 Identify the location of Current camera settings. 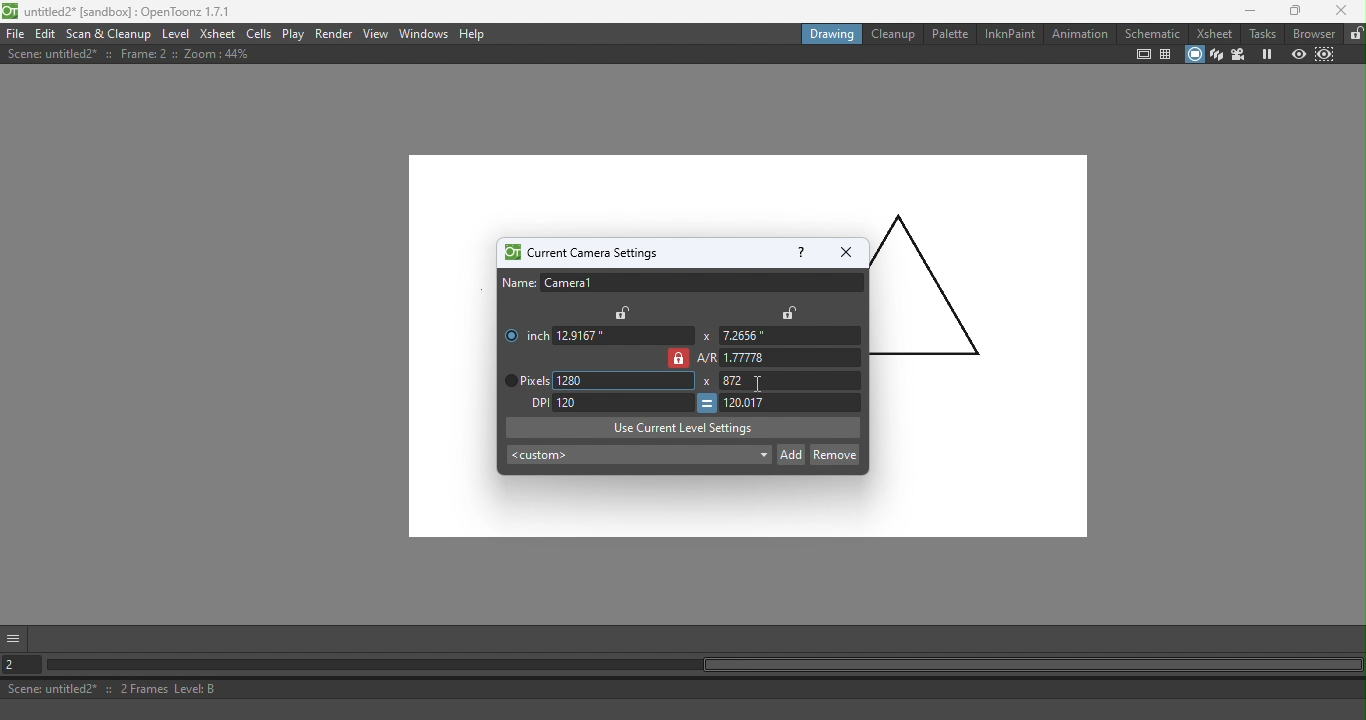
(579, 253).